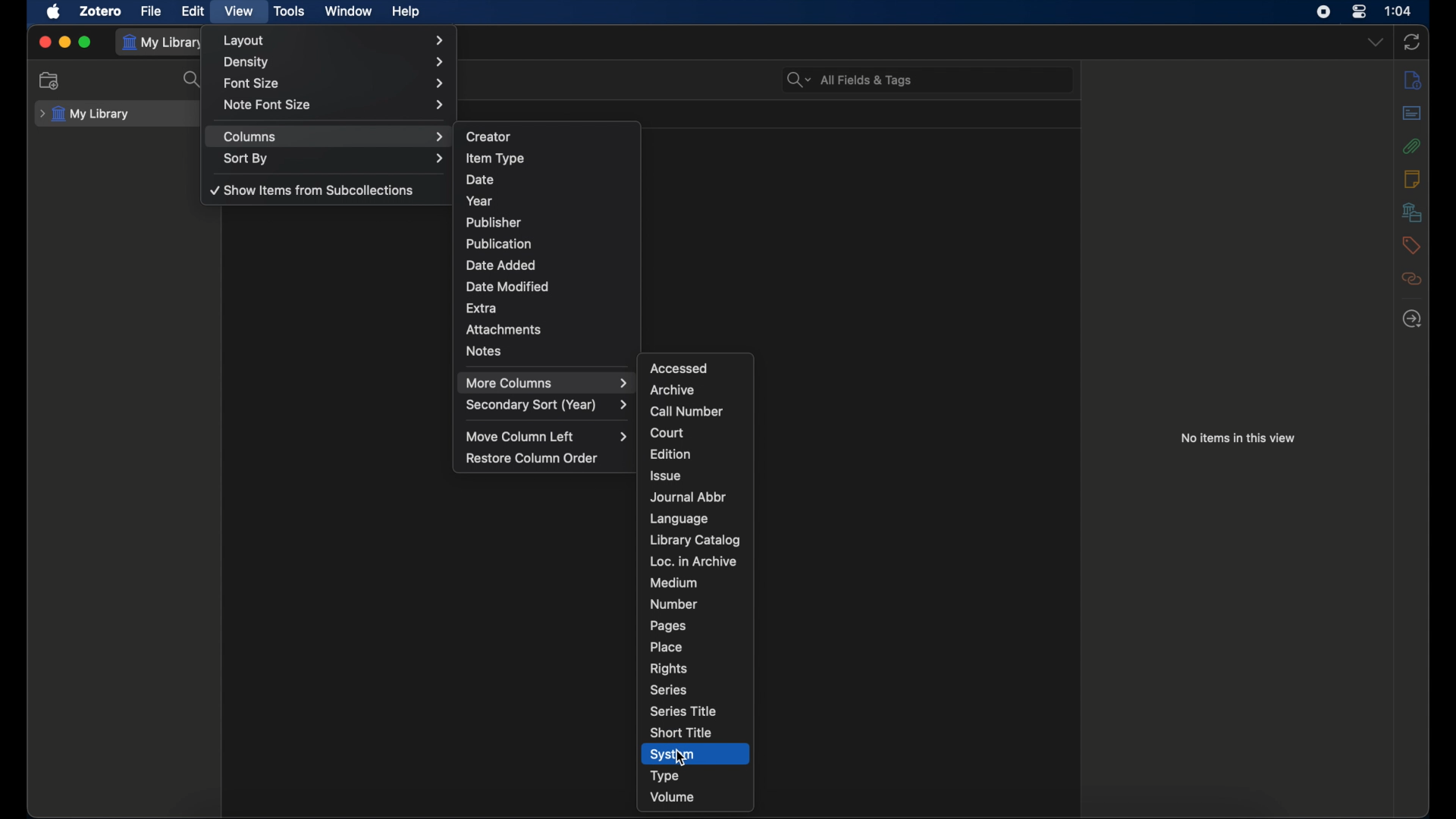 This screenshot has height=819, width=1456. What do you see at coordinates (679, 733) in the screenshot?
I see `short title` at bounding box center [679, 733].